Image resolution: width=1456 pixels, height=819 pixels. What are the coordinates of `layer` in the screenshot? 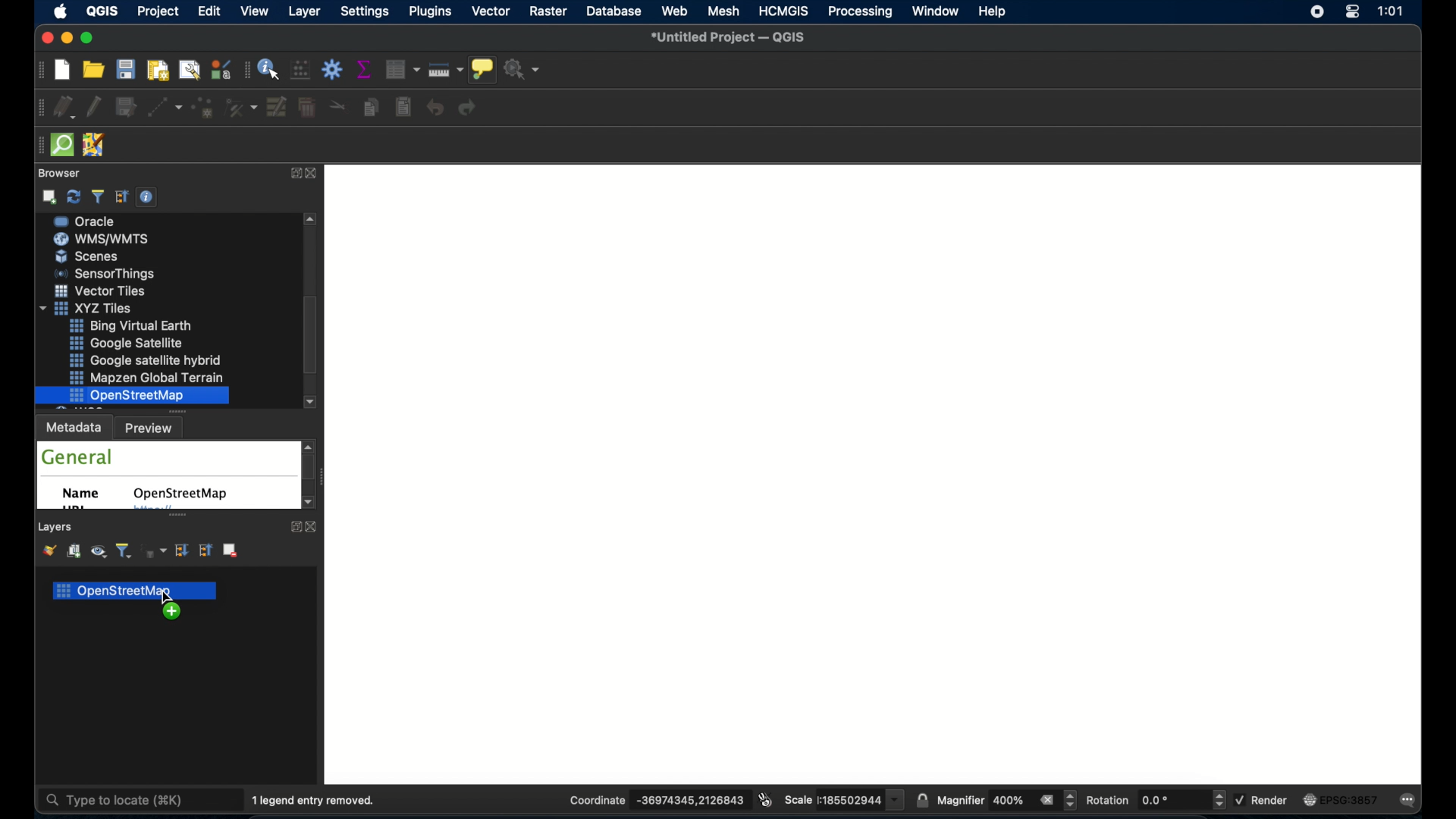 It's located at (303, 11).